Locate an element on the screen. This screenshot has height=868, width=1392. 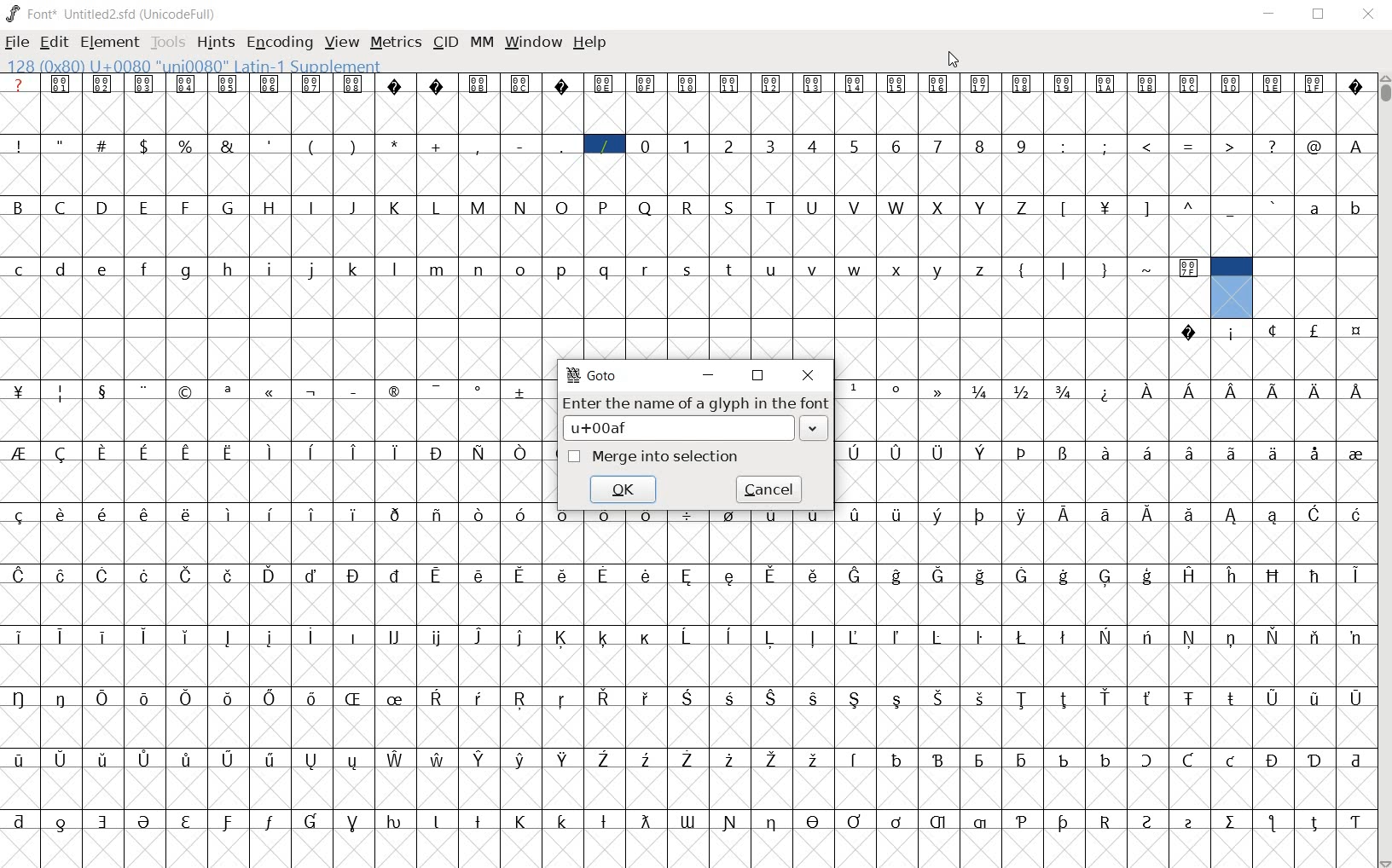
Symbol is located at coordinates (397, 759).